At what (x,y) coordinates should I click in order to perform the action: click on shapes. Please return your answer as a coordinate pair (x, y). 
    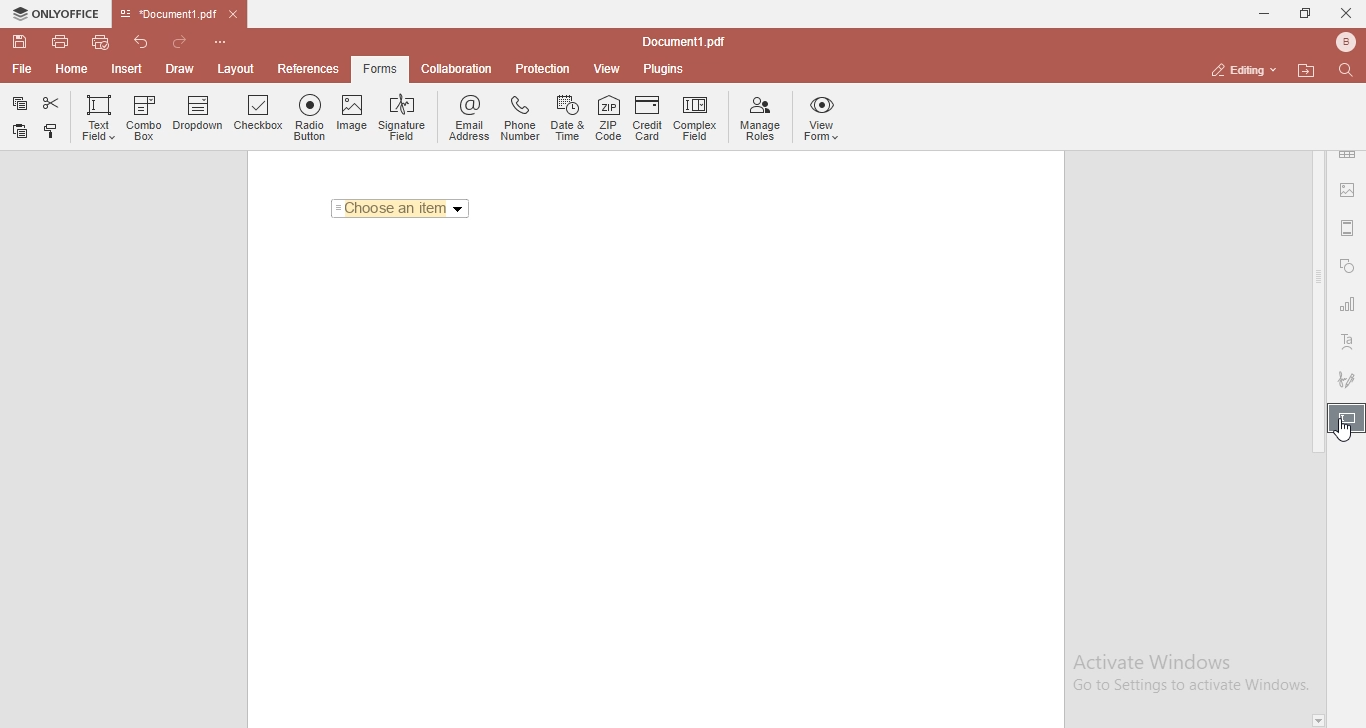
    Looking at the image, I should click on (1347, 268).